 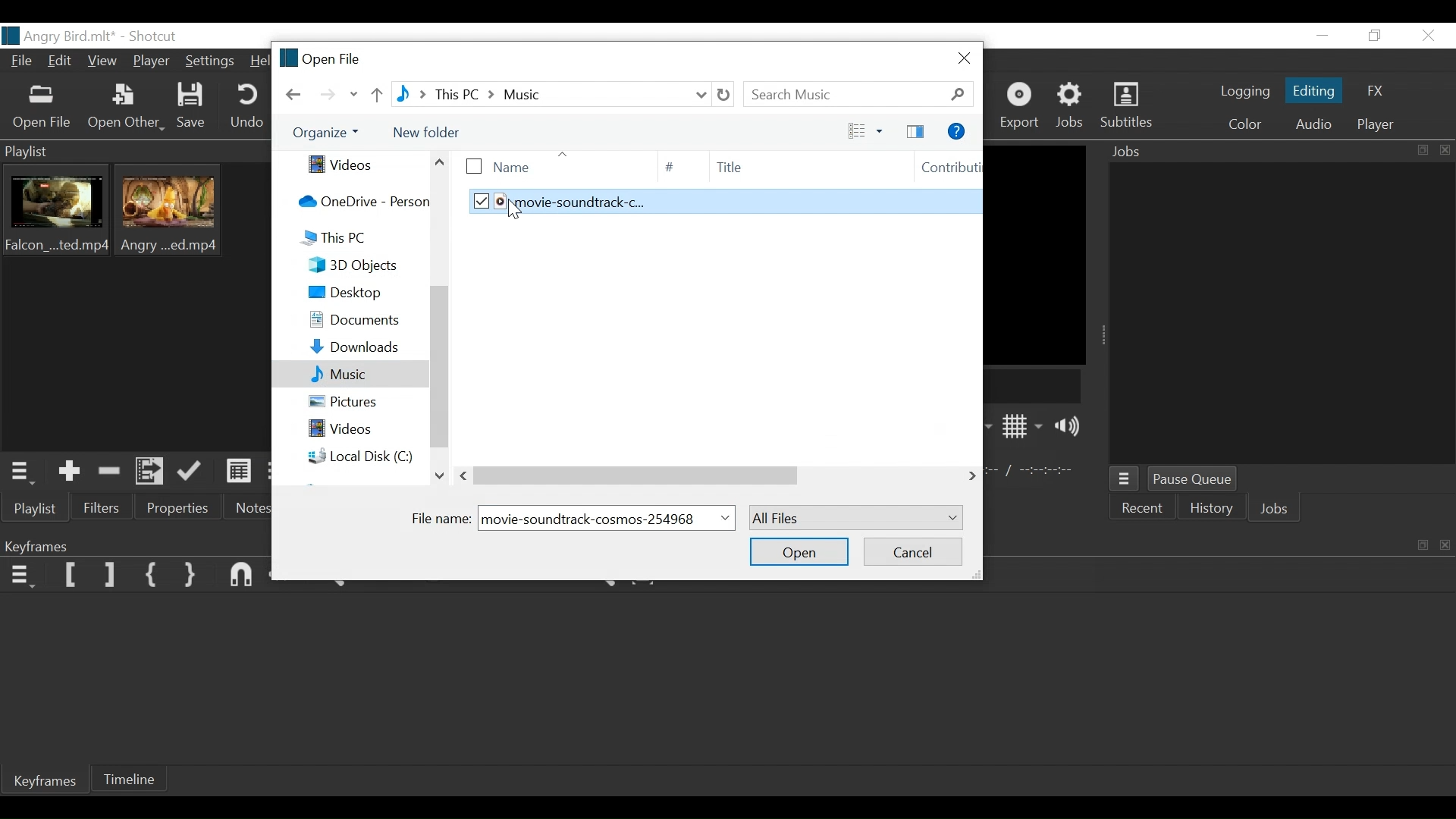 What do you see at coordinates (42, 782) in the screenshot?
I see `Keyframe` at bounding box center [42, 782].